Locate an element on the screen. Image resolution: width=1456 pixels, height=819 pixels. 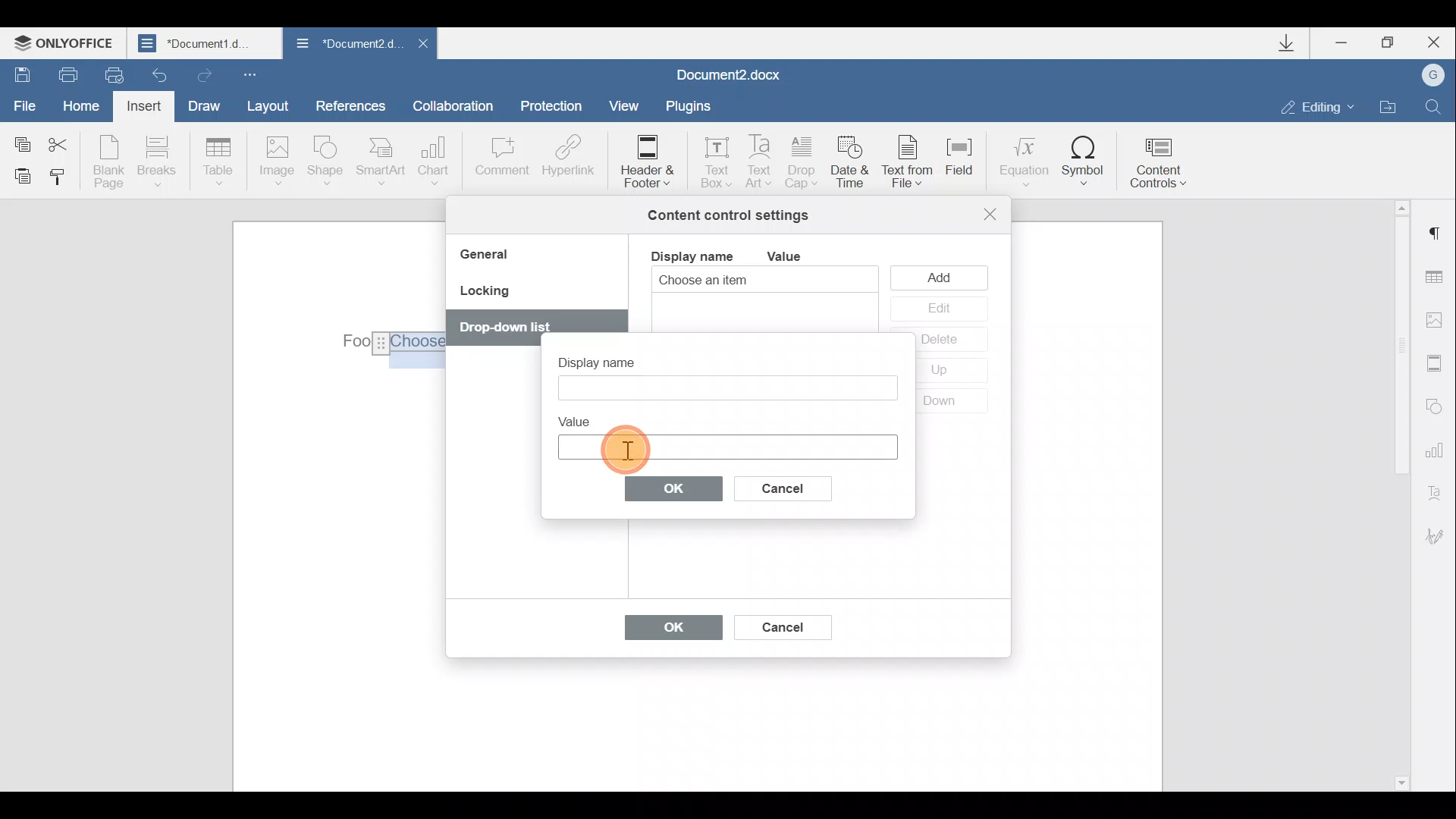
Text box is located at coordinates (711, 158).